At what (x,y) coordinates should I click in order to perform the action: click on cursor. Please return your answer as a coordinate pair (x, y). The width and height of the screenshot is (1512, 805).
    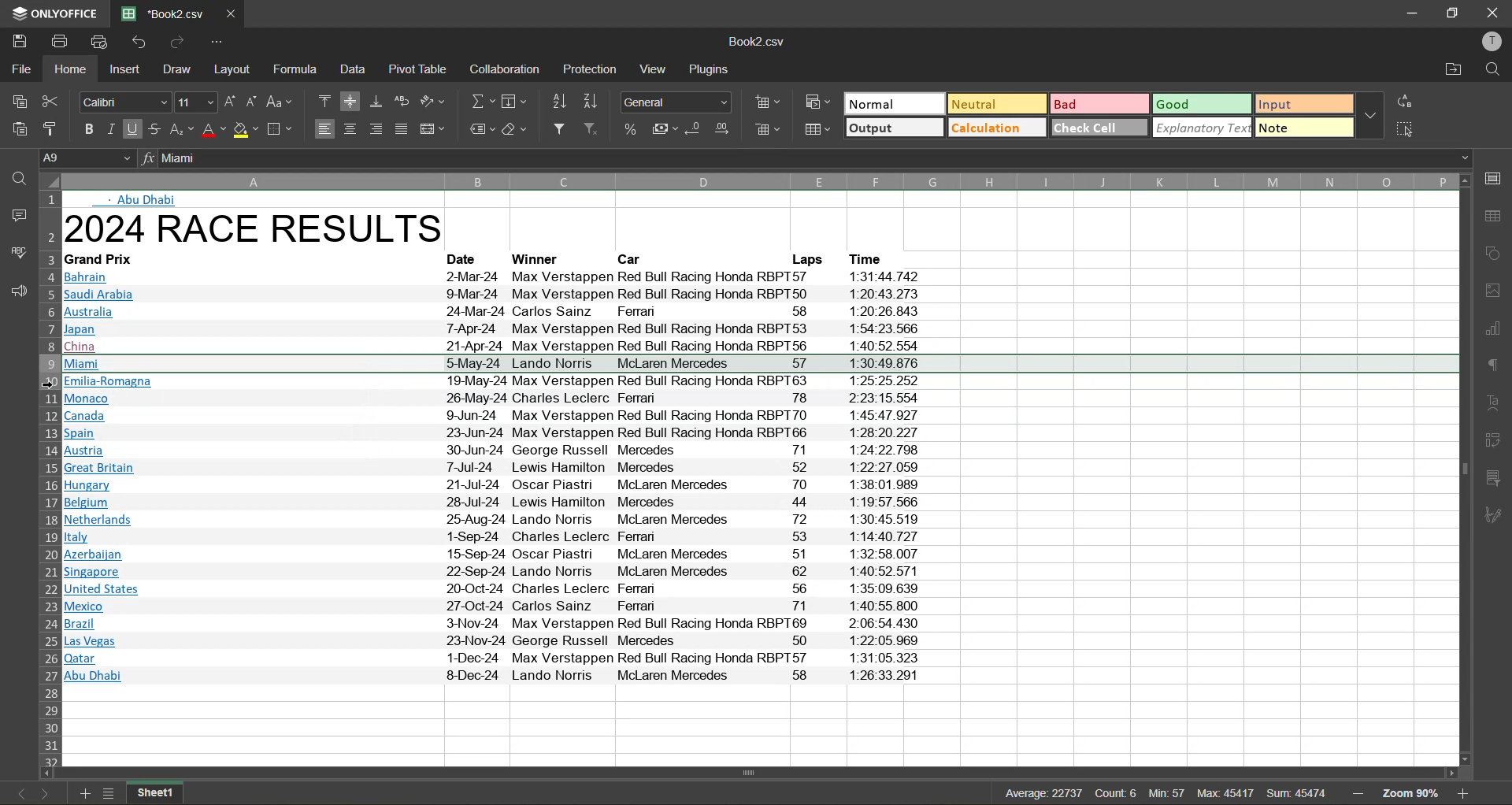
    Looking at the image, I should click on (51, 384).